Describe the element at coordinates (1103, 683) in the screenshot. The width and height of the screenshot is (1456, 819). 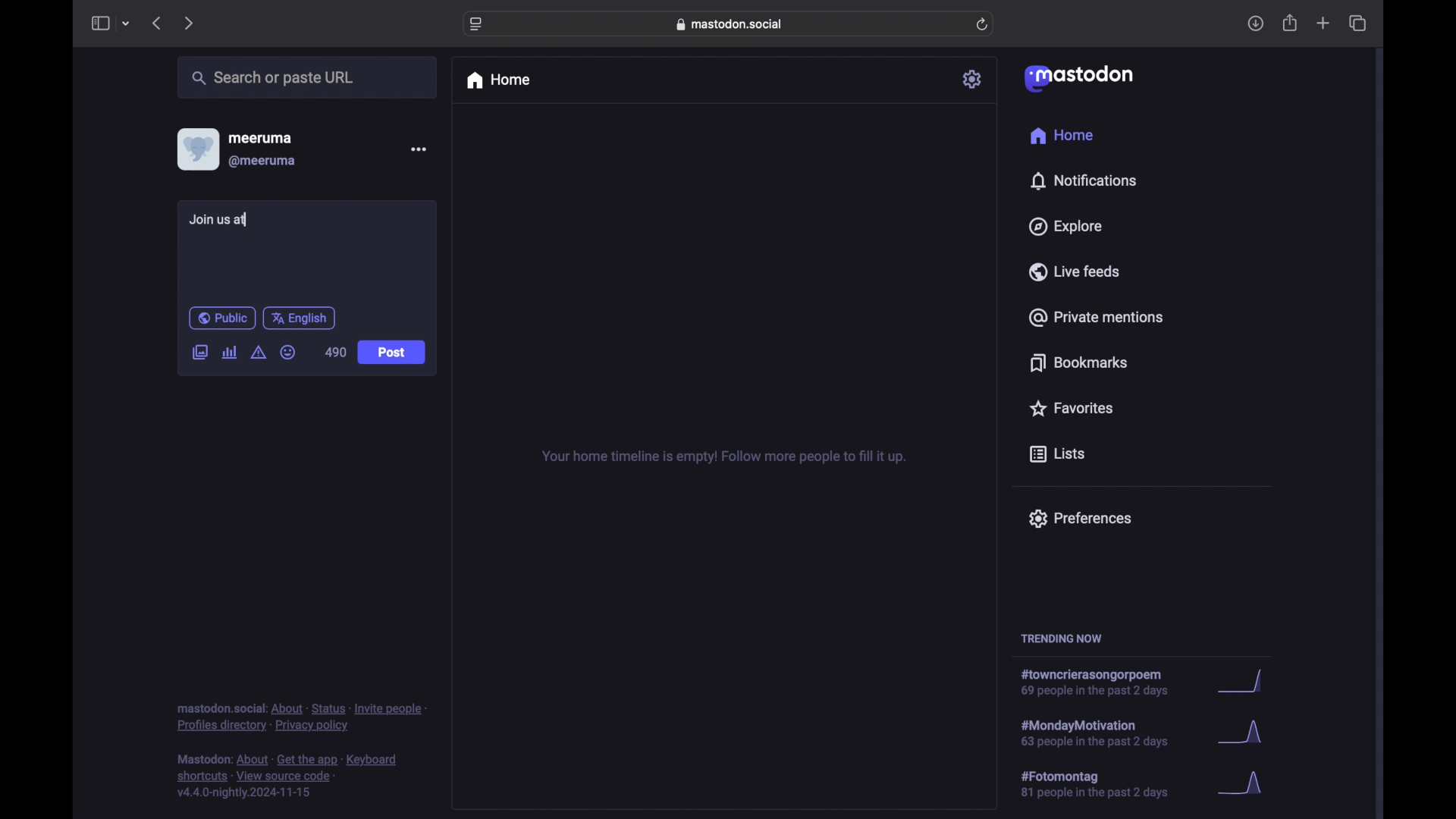
I see `hashtag trend` at that location.